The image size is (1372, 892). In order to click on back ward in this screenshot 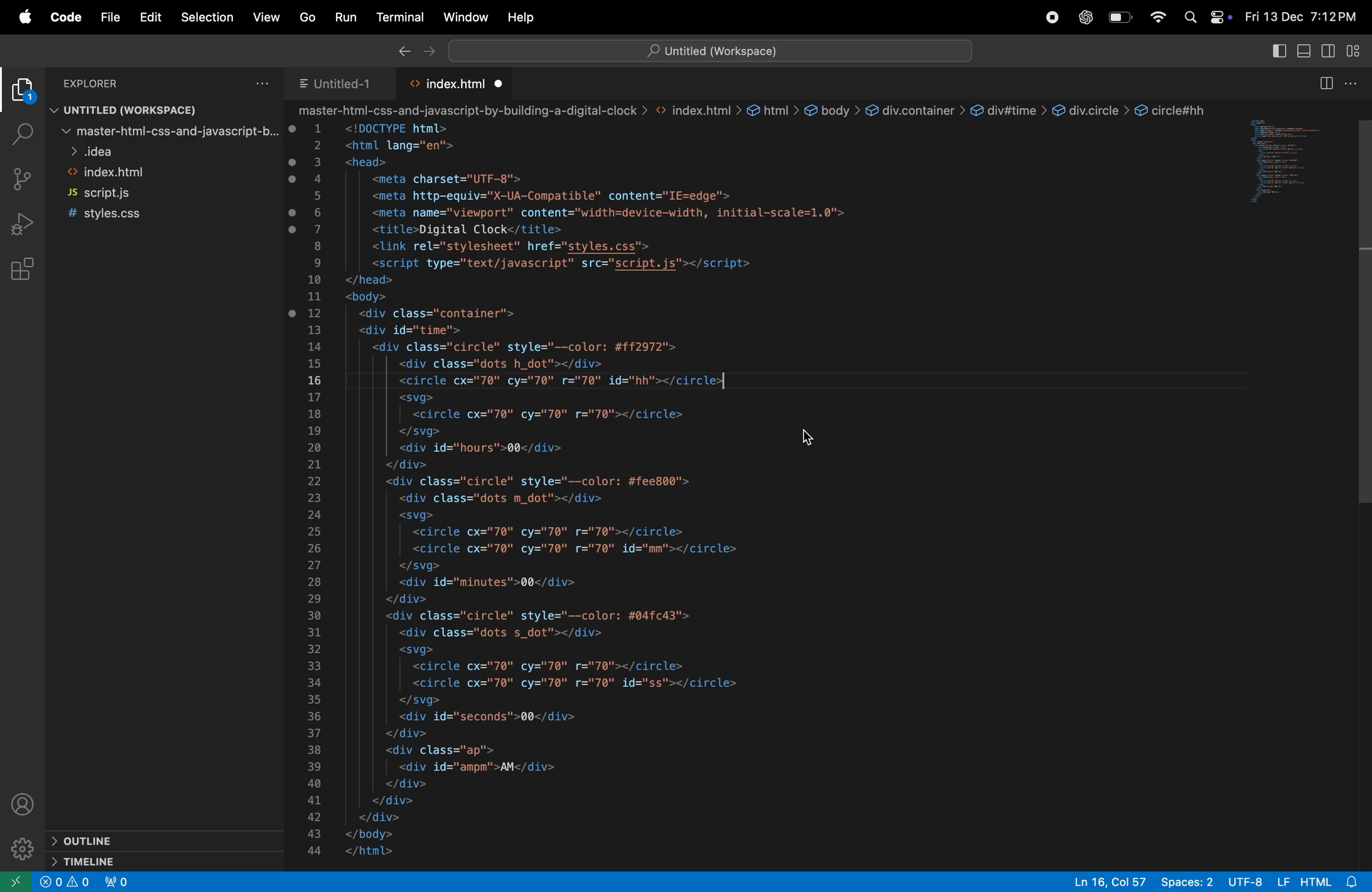, I will do `click(402, 52)`.